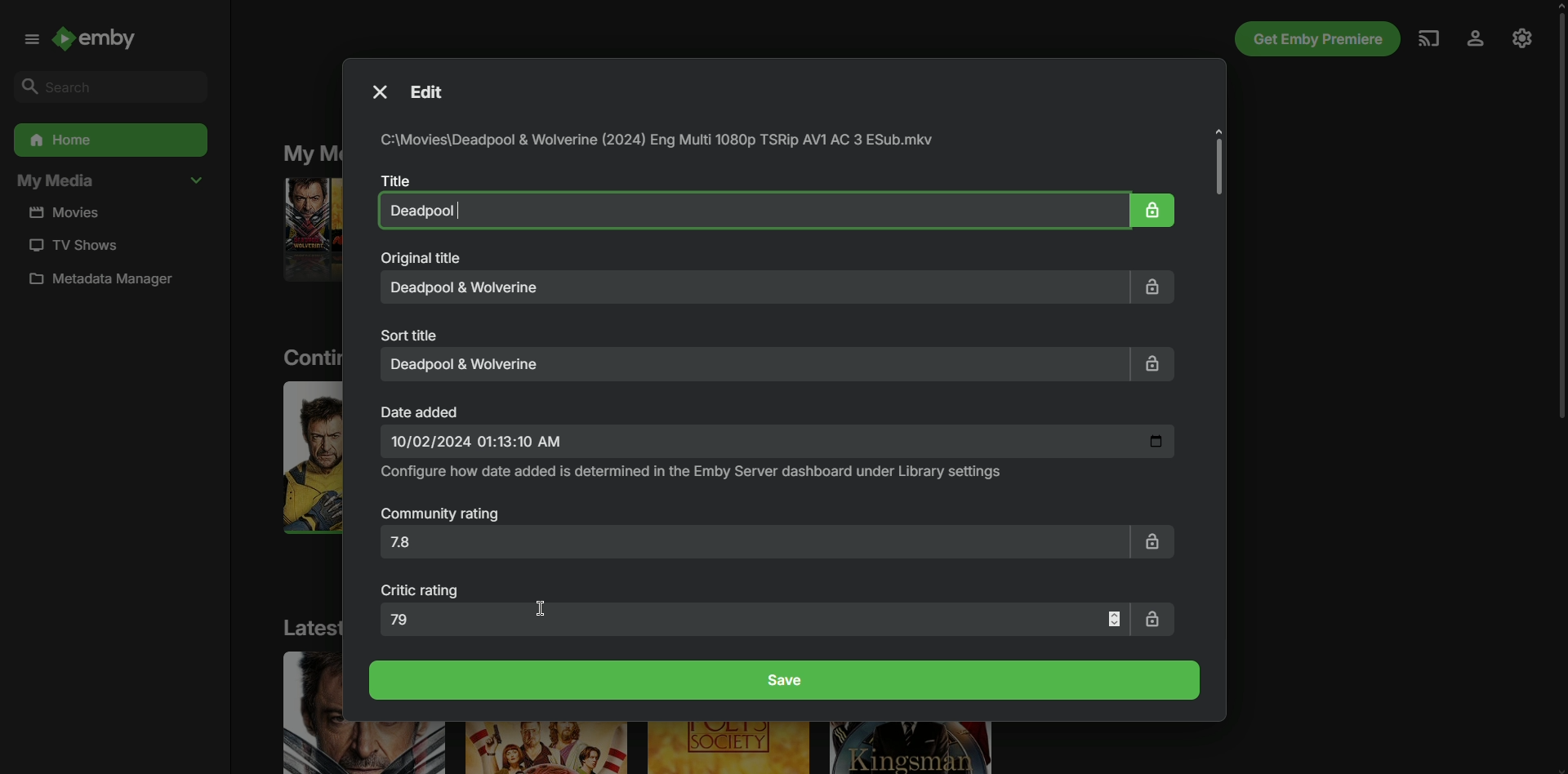 The width and height of the screenshot is (1568, 774). Describe the element at coordinates (393, 180) in the screenshot. I see `Title` at that location.